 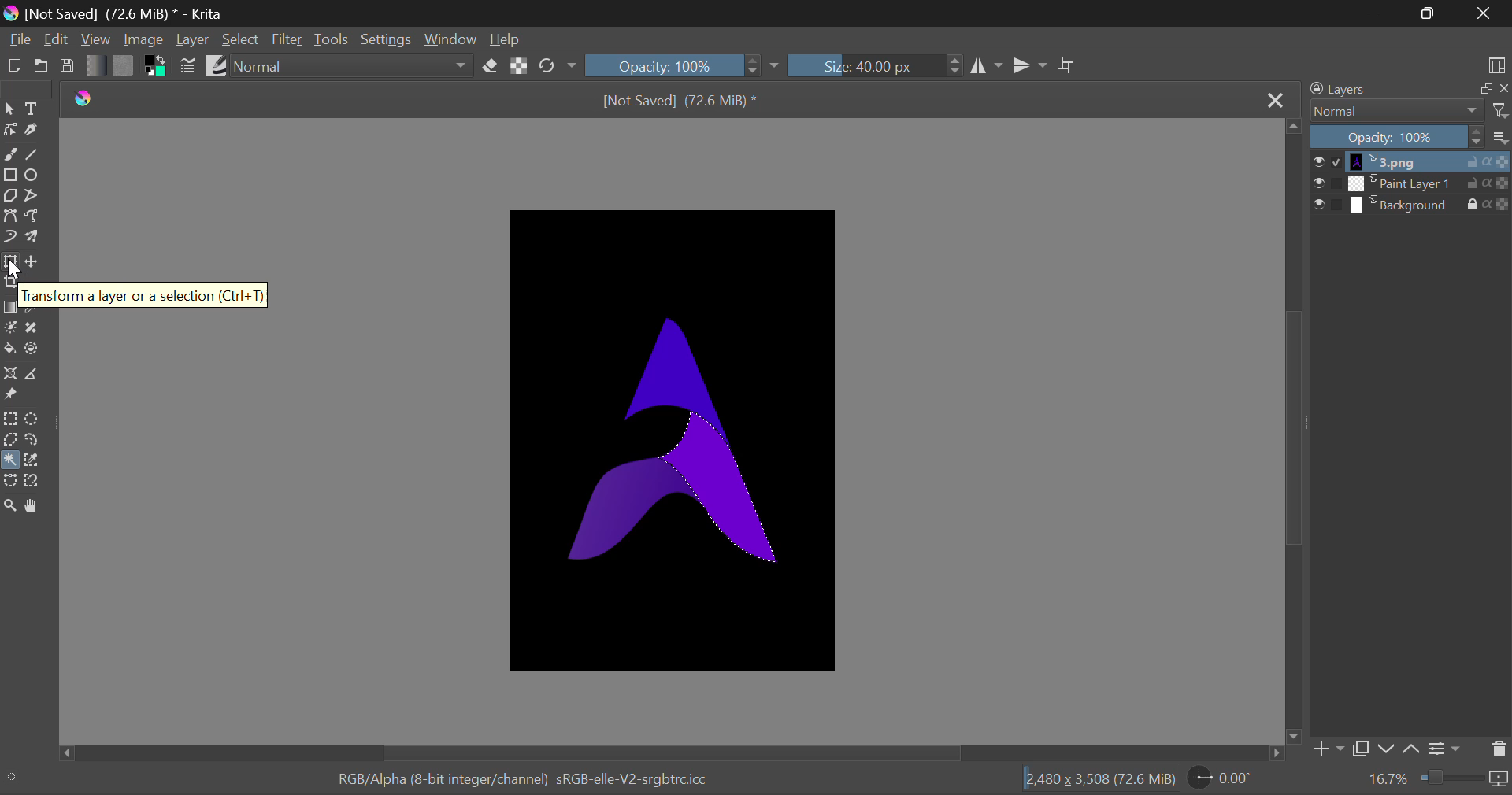 I want to click on Reference Images, so click(x=9, y=395).